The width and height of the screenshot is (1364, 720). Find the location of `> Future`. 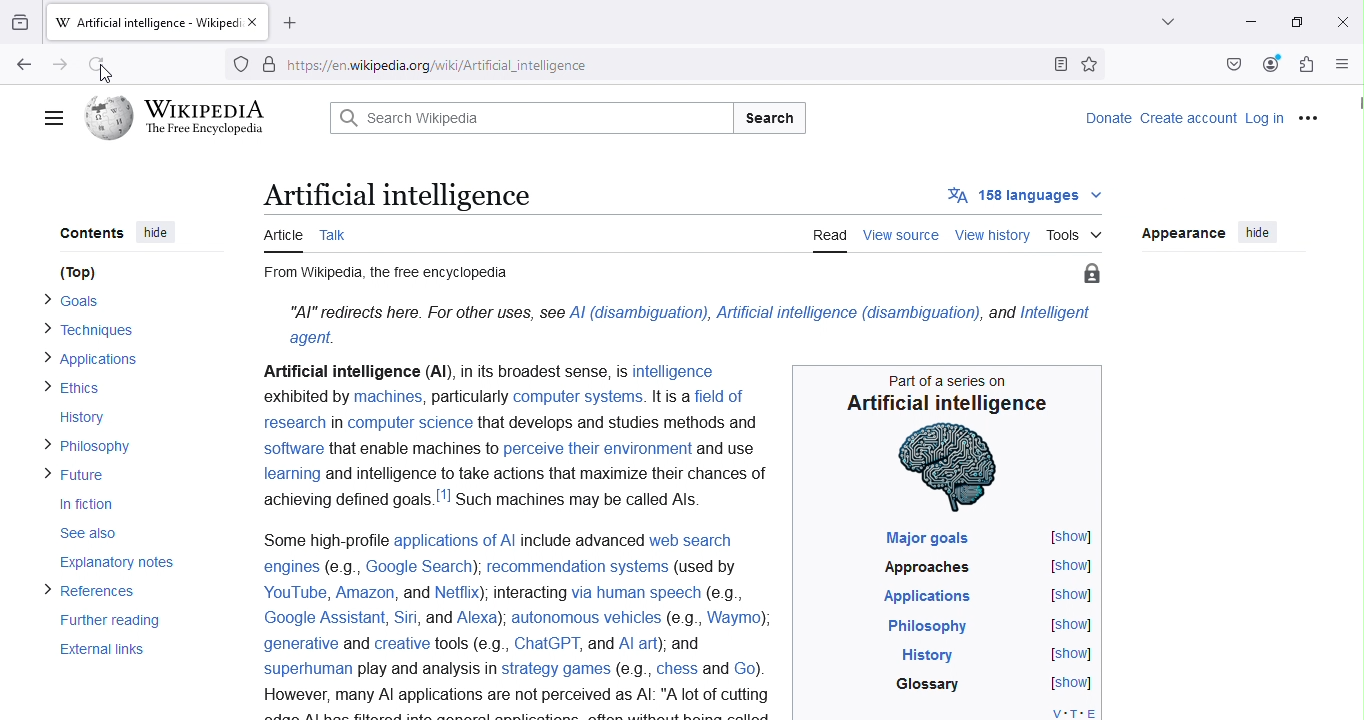

> Future is located at coordinates (83, 476).